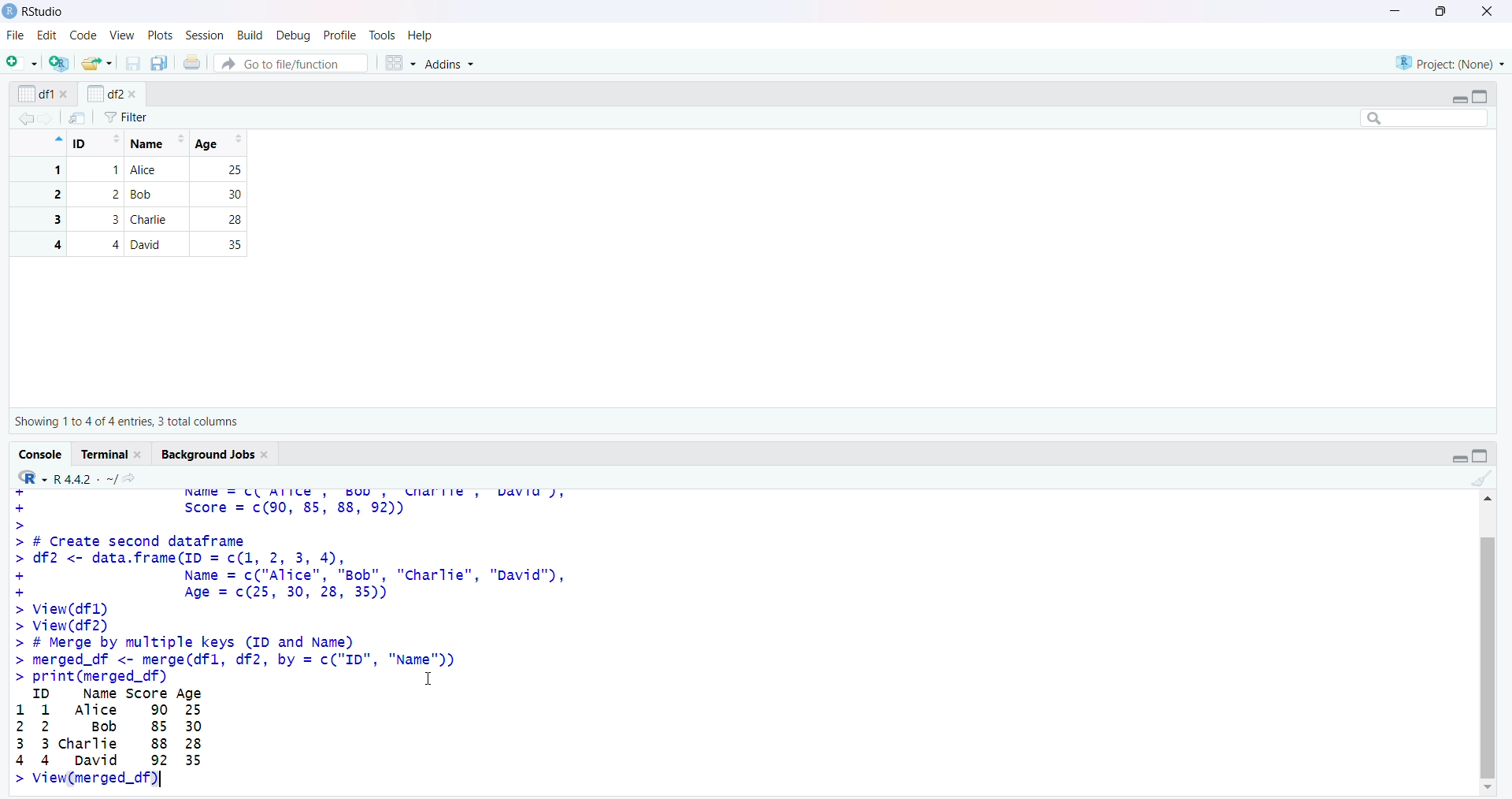 The width and height of the screenshot is (1512, 799). Describe the element at coordinates (208, 455) in the screenshot. I see `Background jobs` at that location.